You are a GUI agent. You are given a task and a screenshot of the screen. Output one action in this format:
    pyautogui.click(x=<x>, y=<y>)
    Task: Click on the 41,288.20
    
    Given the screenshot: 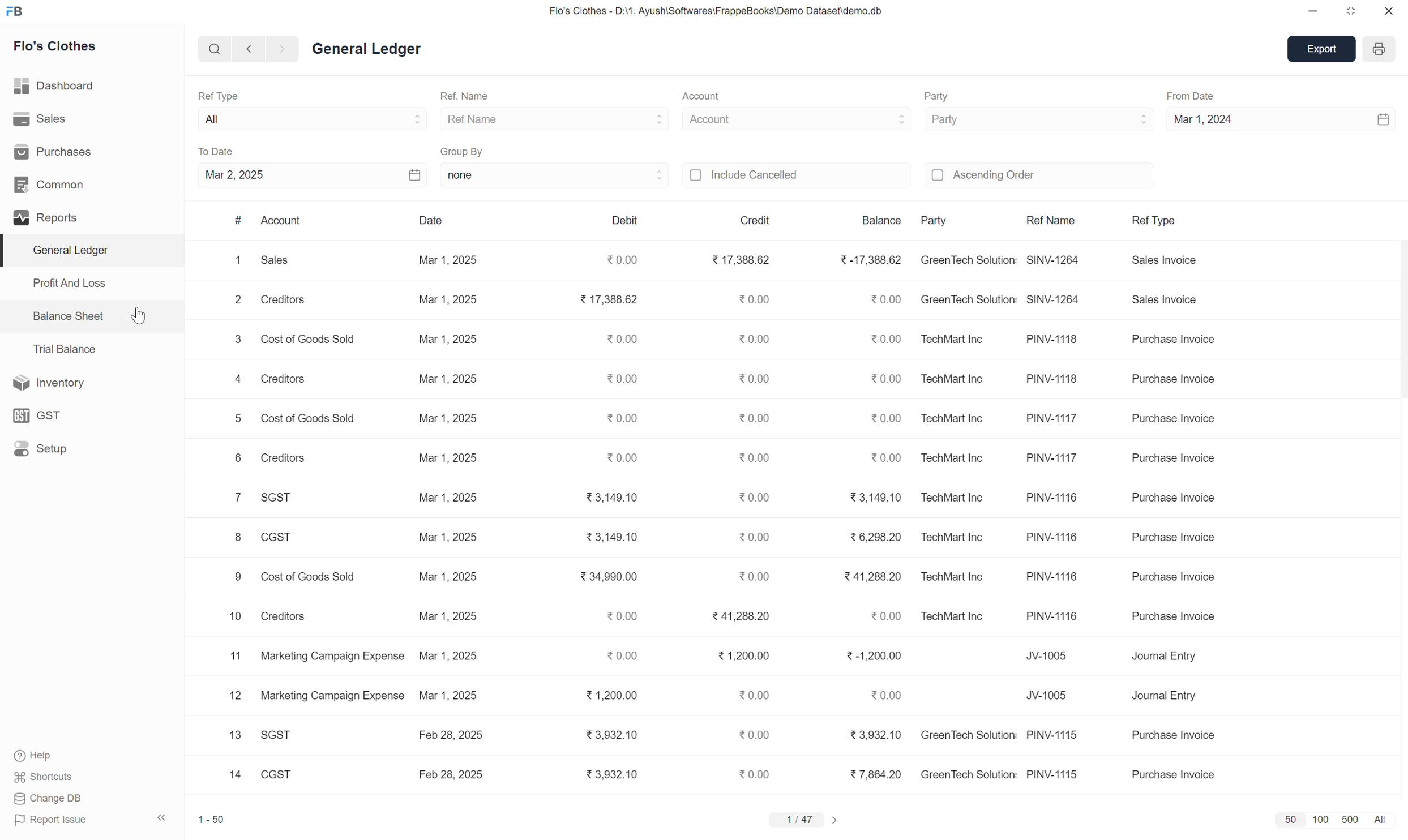 What is the action you would take?
    pyautogui.click(x=734, y=615)
    